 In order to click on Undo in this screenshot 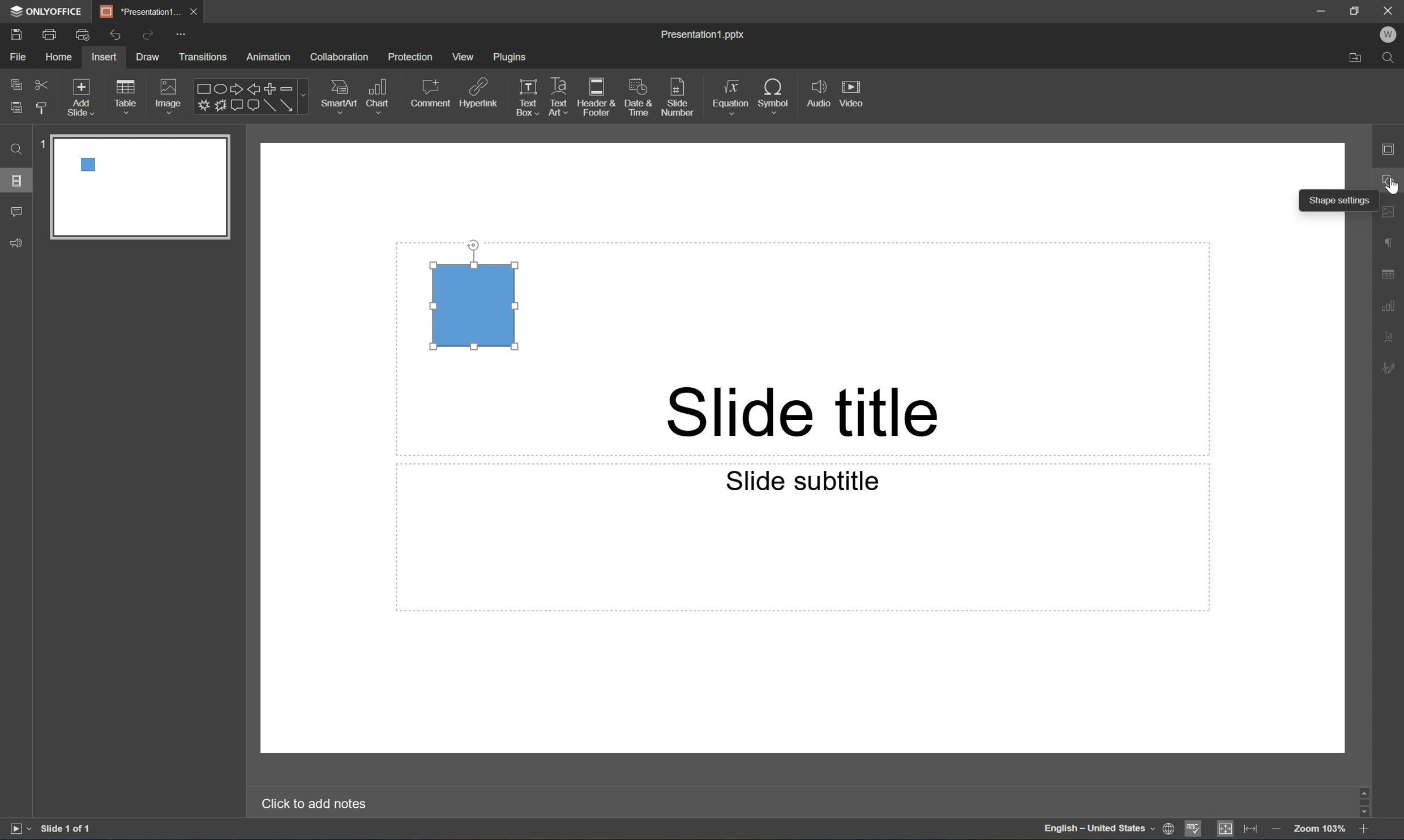, I will do `click(115, 36)`.